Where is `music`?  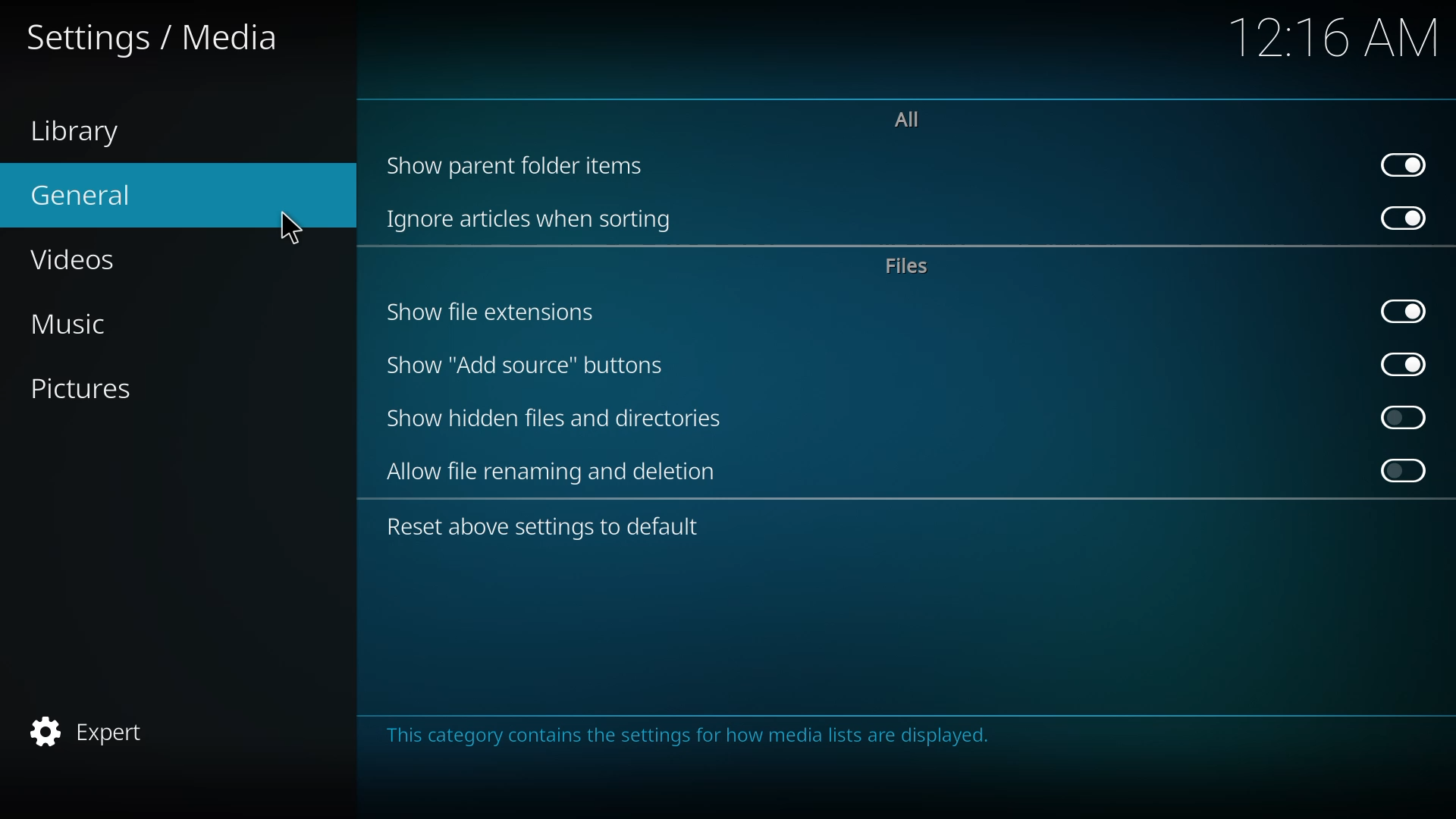 music is located at coordinates (77, 322).